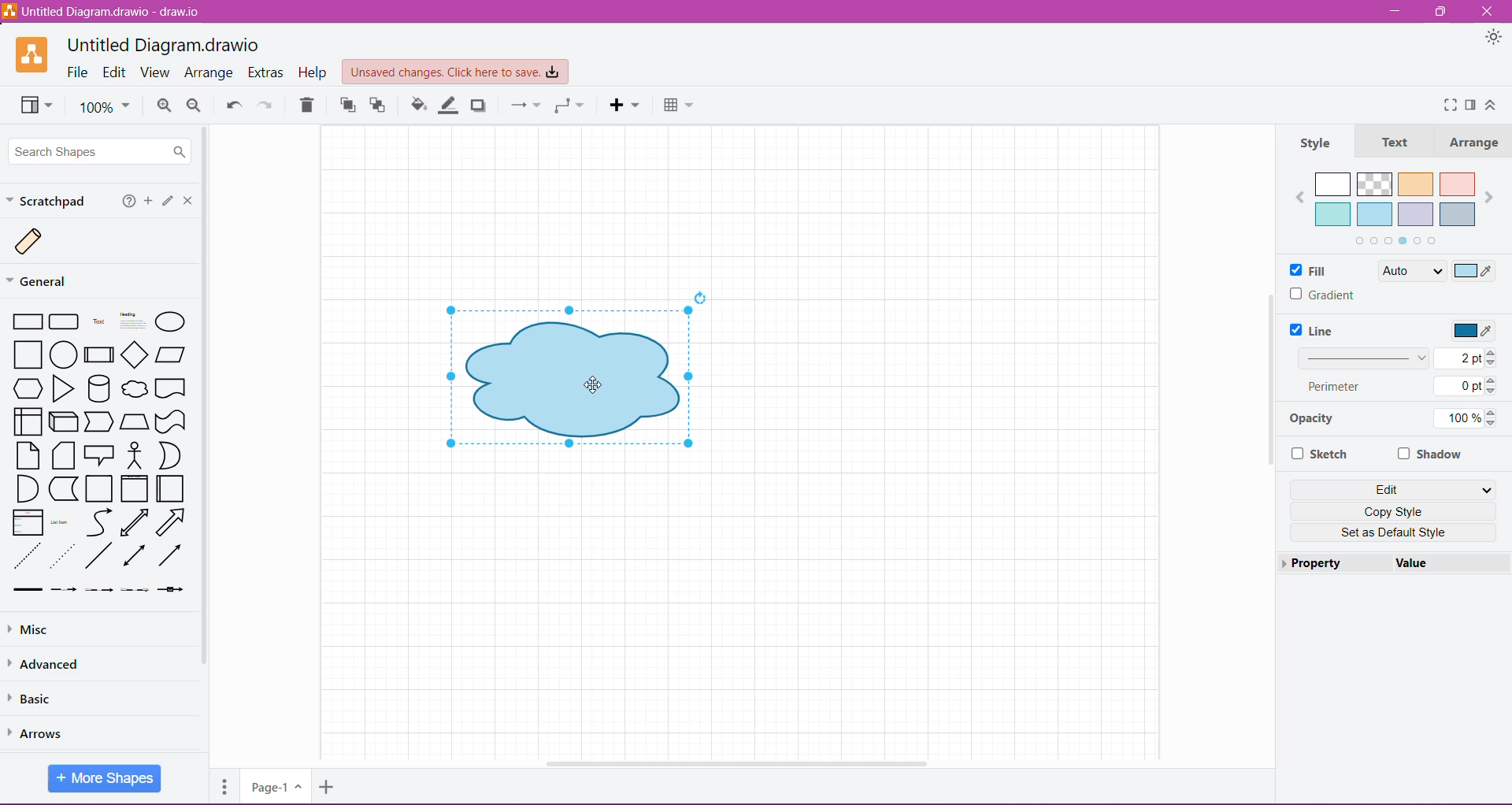 This screenshot has width=1512, height=805. What do you see at coordinates (1475, 273) in the screenshot?
I see `Select Color to Fill` at bounding box center [1475, 273].